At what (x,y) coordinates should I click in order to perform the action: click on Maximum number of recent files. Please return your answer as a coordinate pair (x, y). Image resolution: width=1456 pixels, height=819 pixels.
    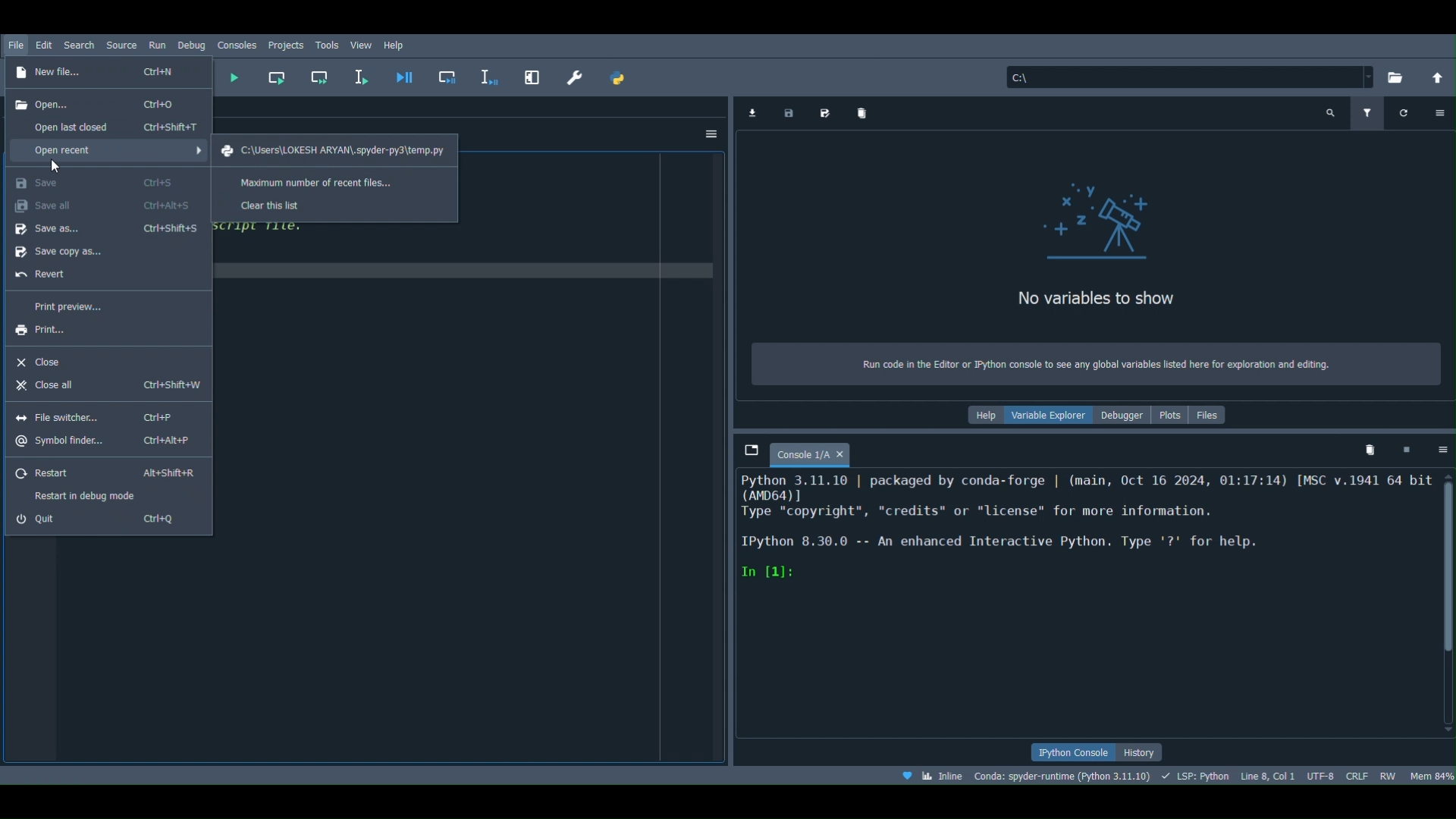
    Looking at the image, I should click on (320, 181).